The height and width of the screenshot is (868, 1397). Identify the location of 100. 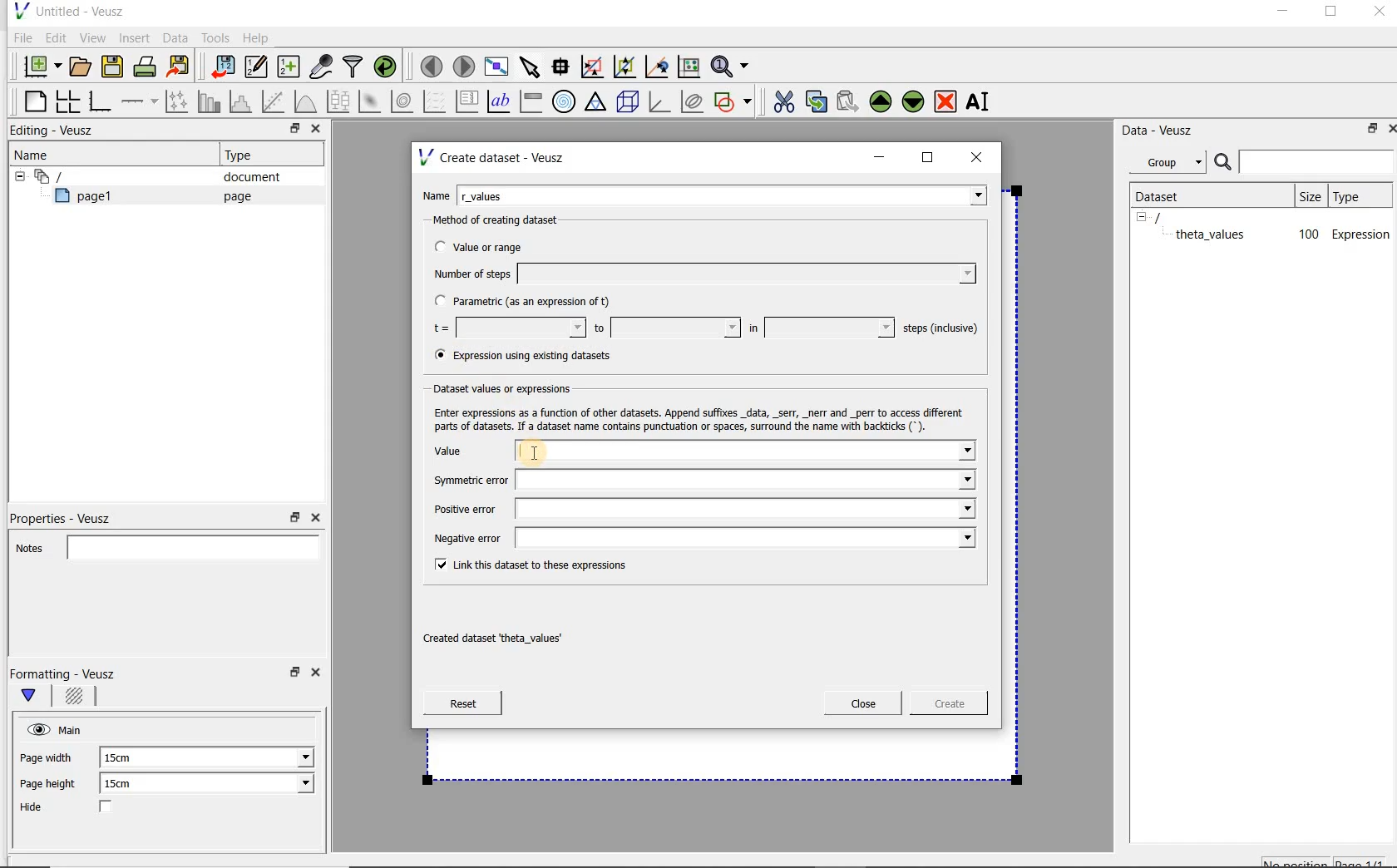
(1307, 235).